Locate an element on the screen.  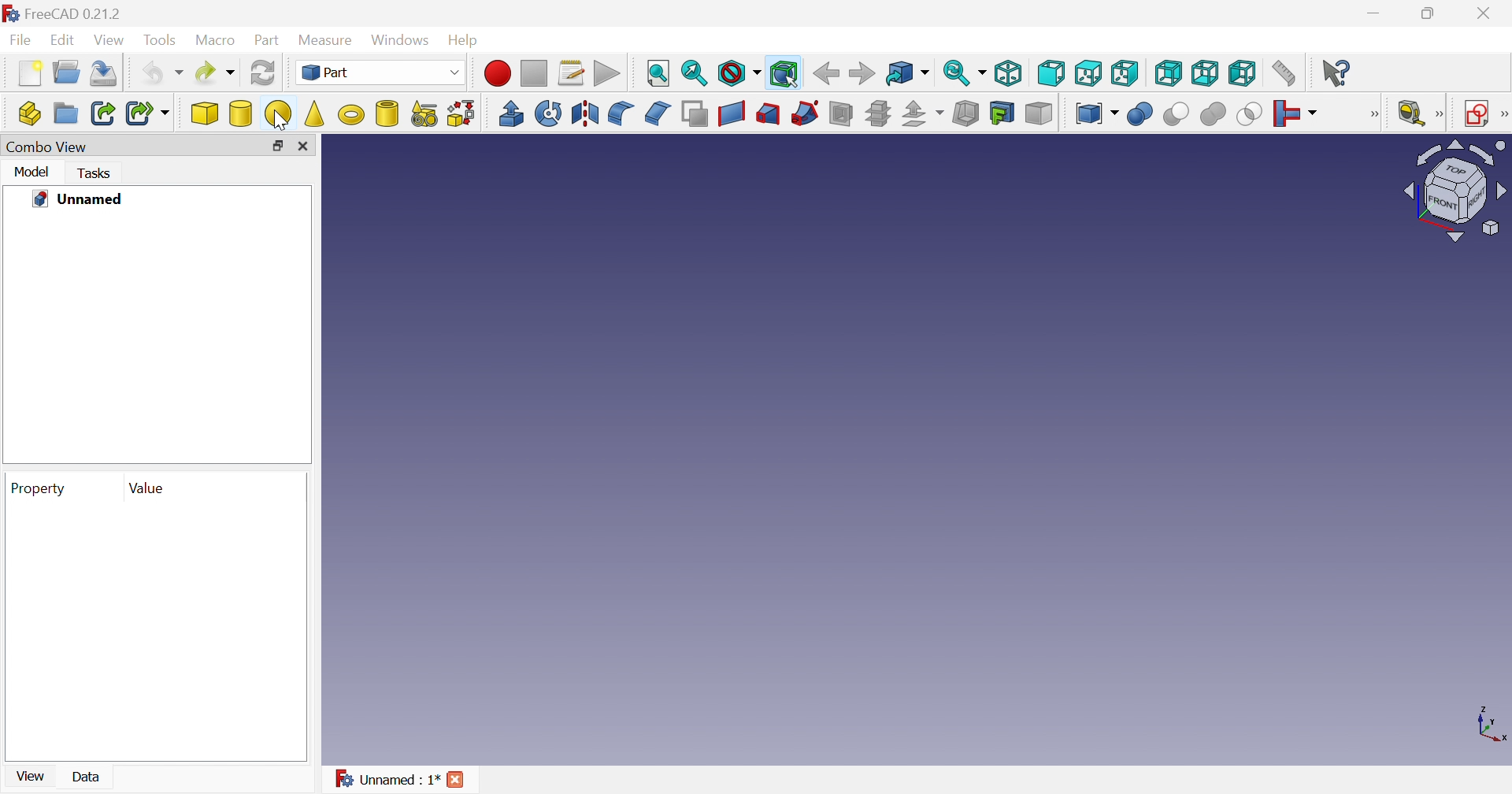
What's this? is located at coordinates (1337, 72).